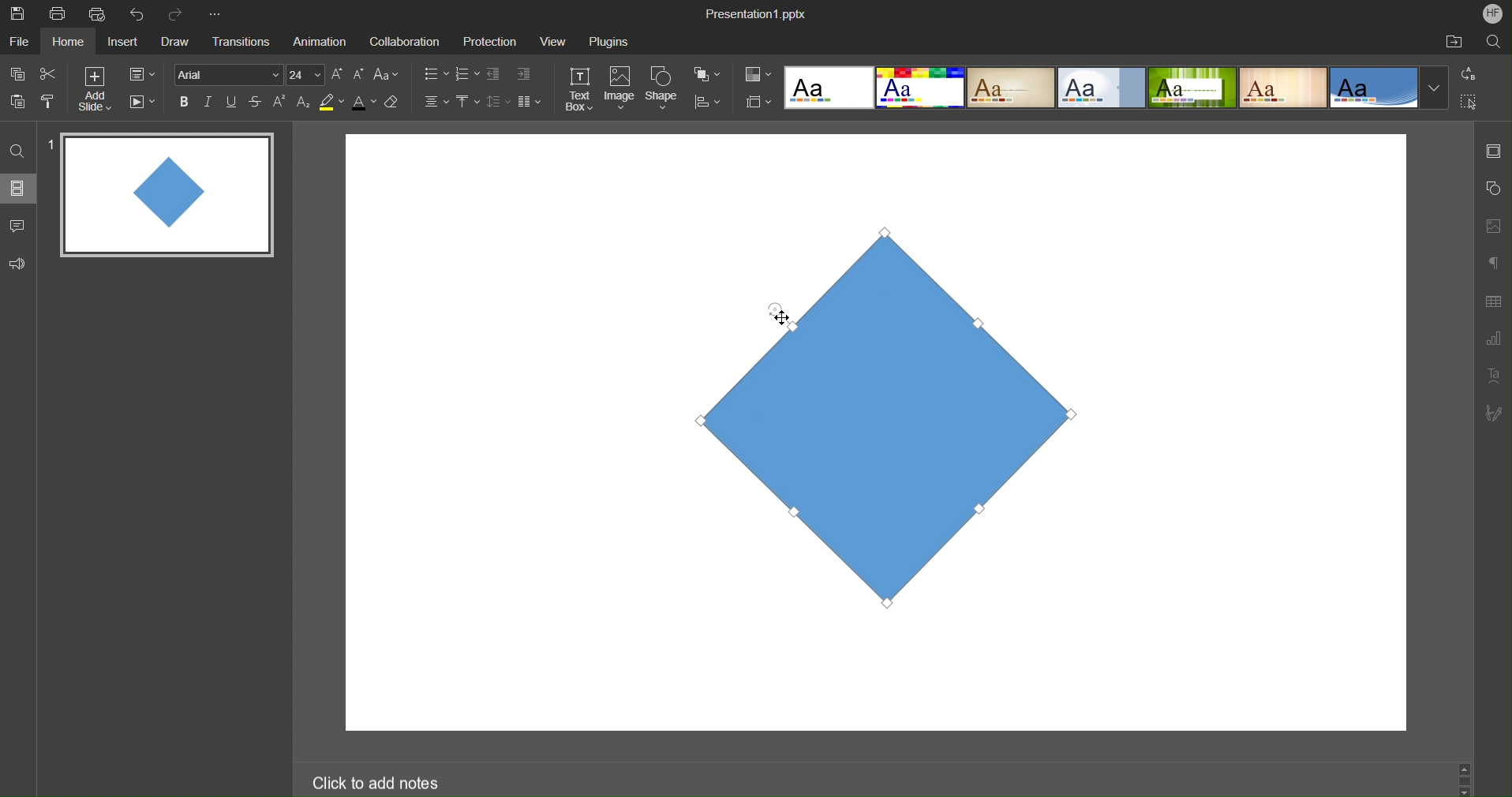 The image size is (1512, 797). What do you see at coordinates (554, 39) in the screenshot?
I see `View` at bounding box center [554, 39].